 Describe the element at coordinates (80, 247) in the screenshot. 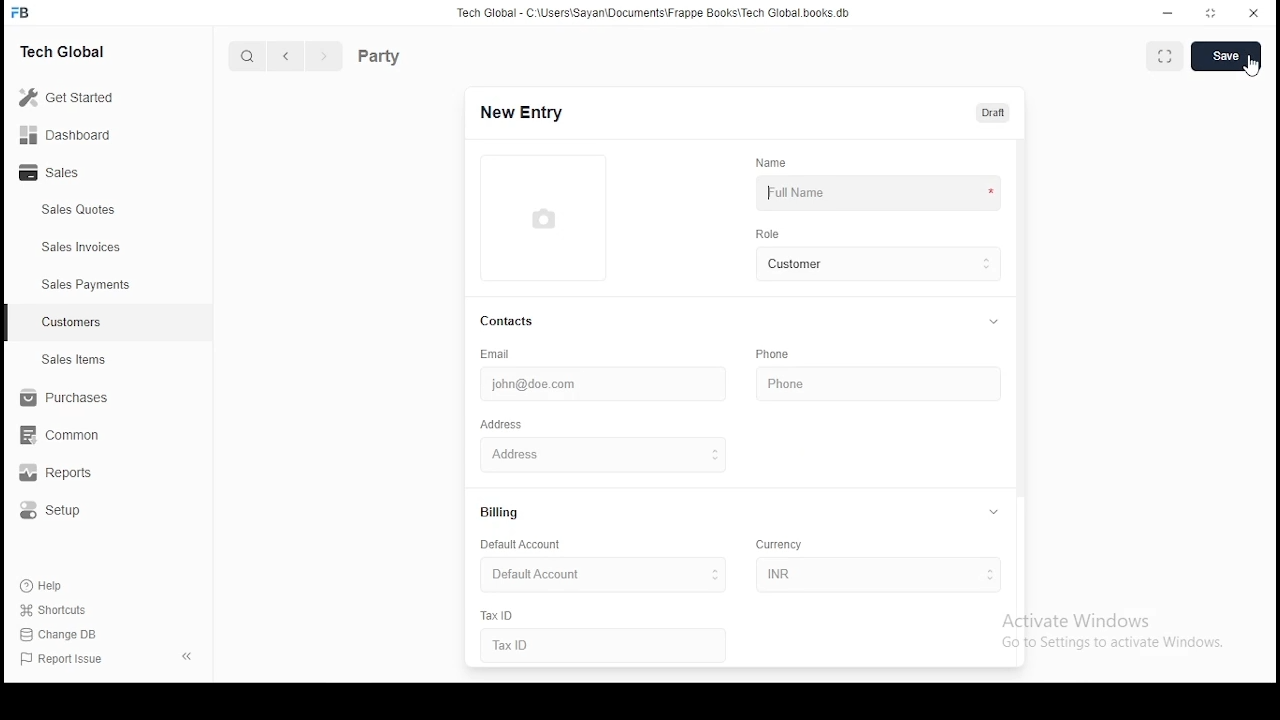

I see `sales invoices` at that location.